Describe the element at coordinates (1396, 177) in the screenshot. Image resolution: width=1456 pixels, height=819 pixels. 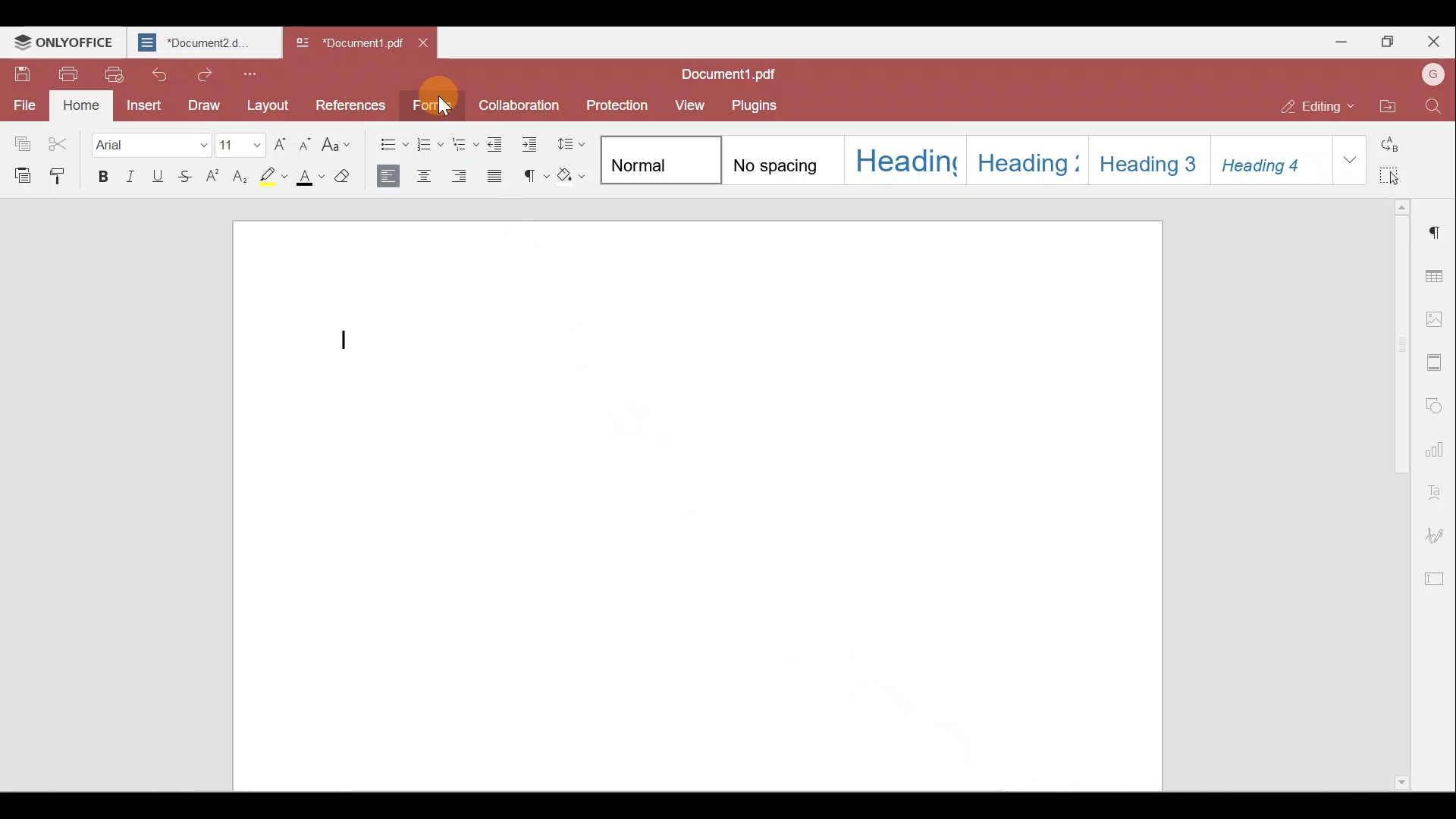
I see `Select all` at that location.